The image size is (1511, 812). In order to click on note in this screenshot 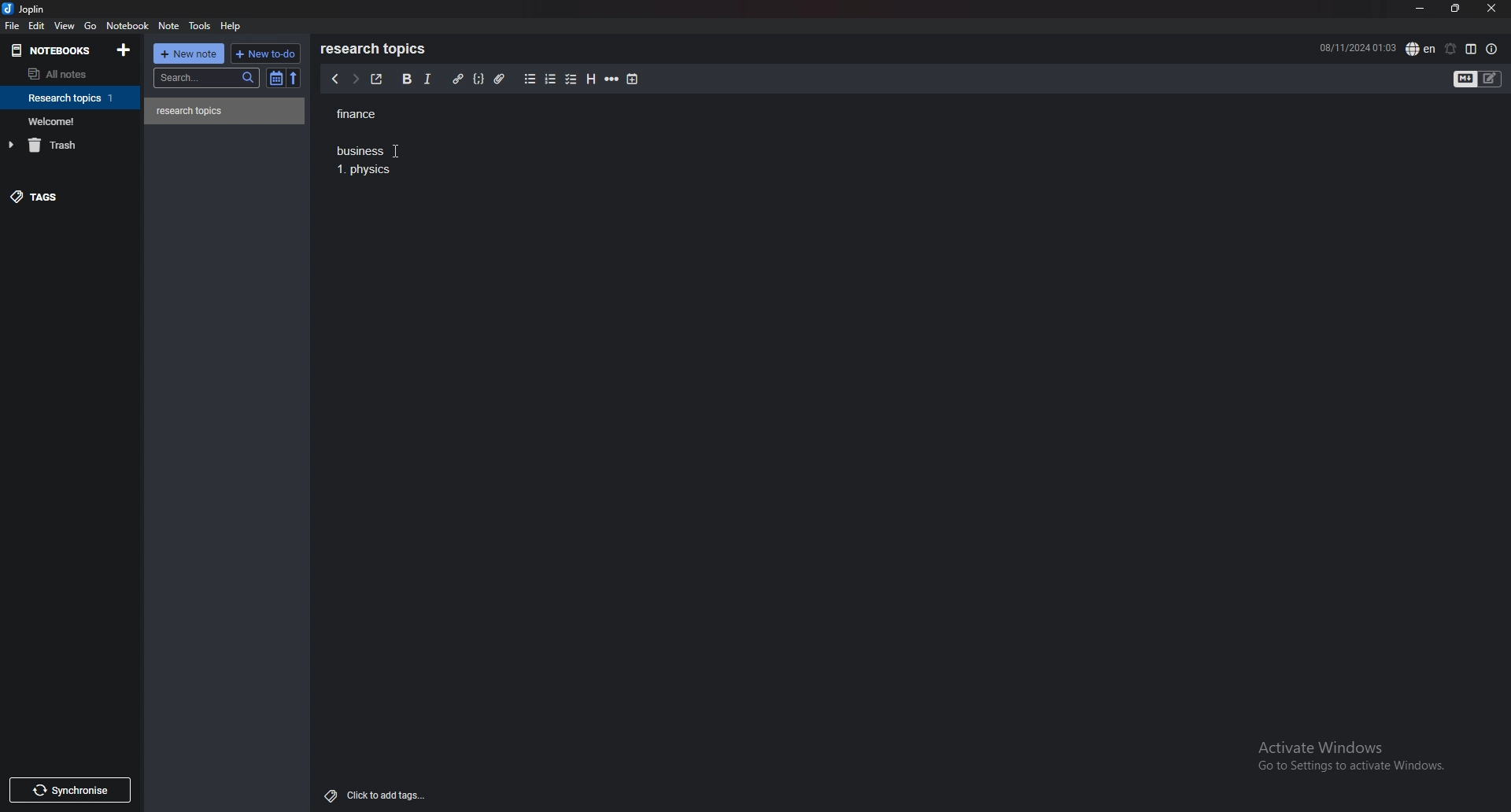, I will do `click(168, 26)`.